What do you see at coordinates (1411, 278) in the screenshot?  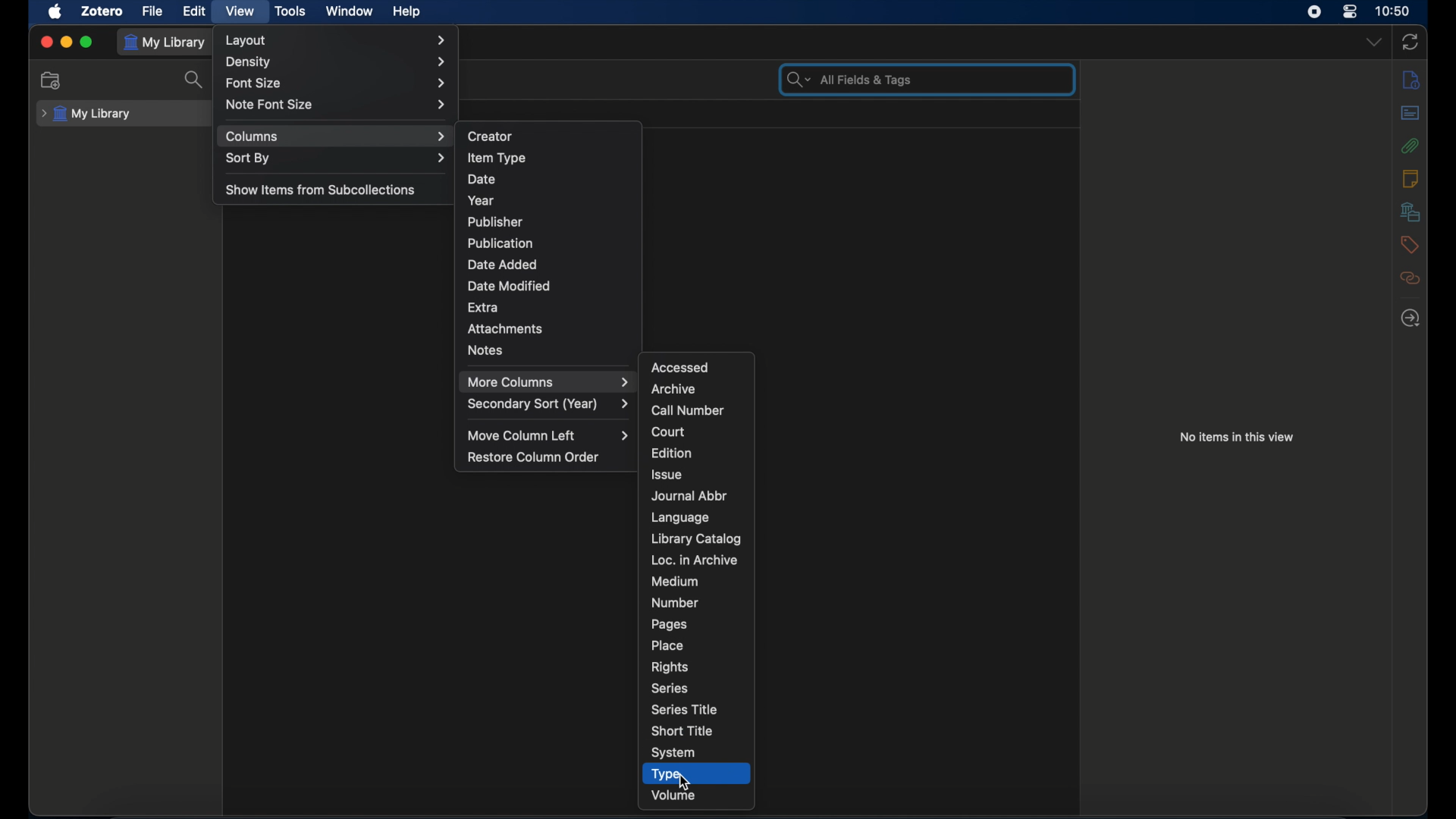 I see `related` at bounding box center [1411, 278].